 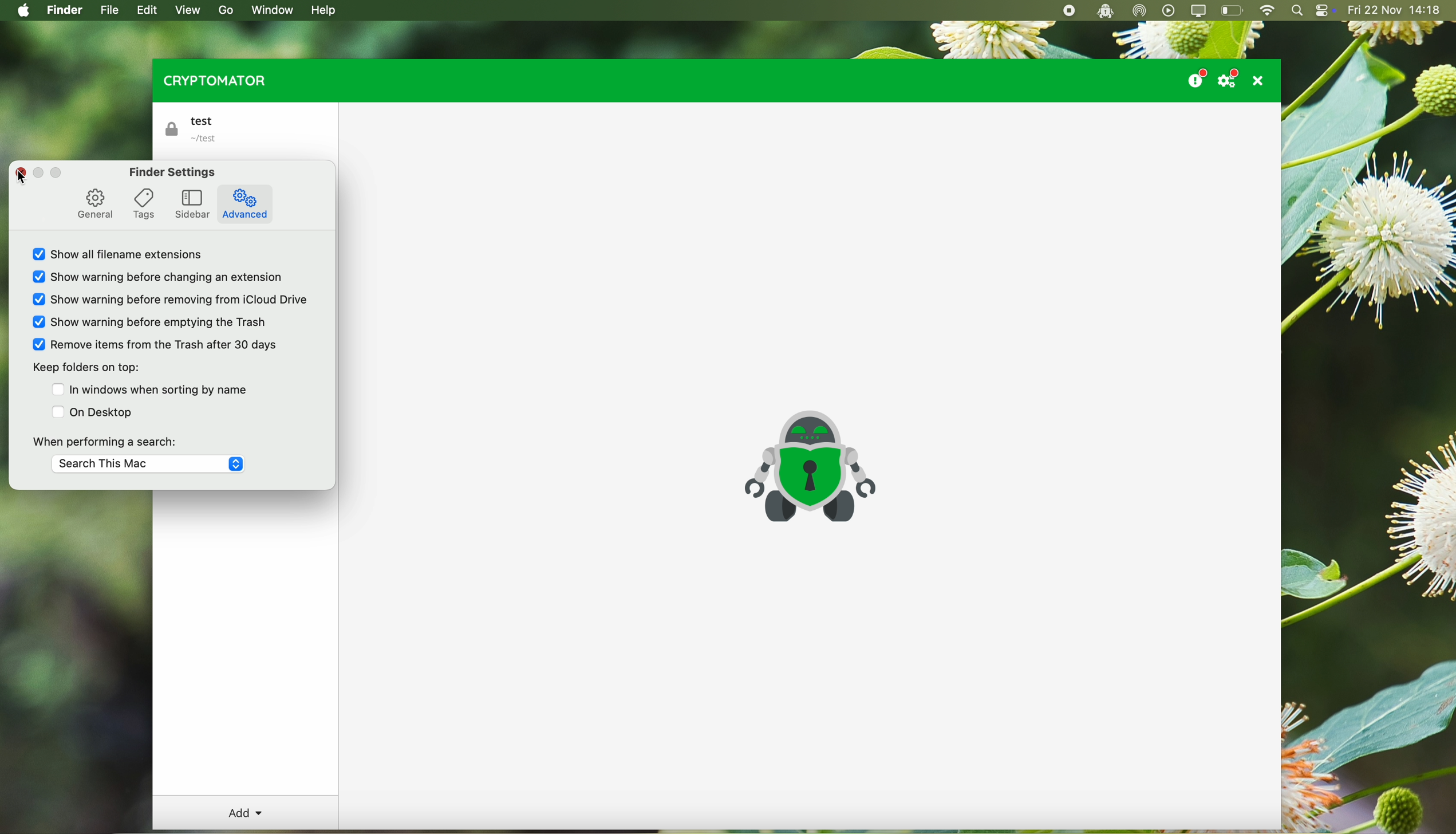 What do you see at coordinates (85, 369) in the screenshot?
I see `keep folders on top:` at bounding box center [85, 369].